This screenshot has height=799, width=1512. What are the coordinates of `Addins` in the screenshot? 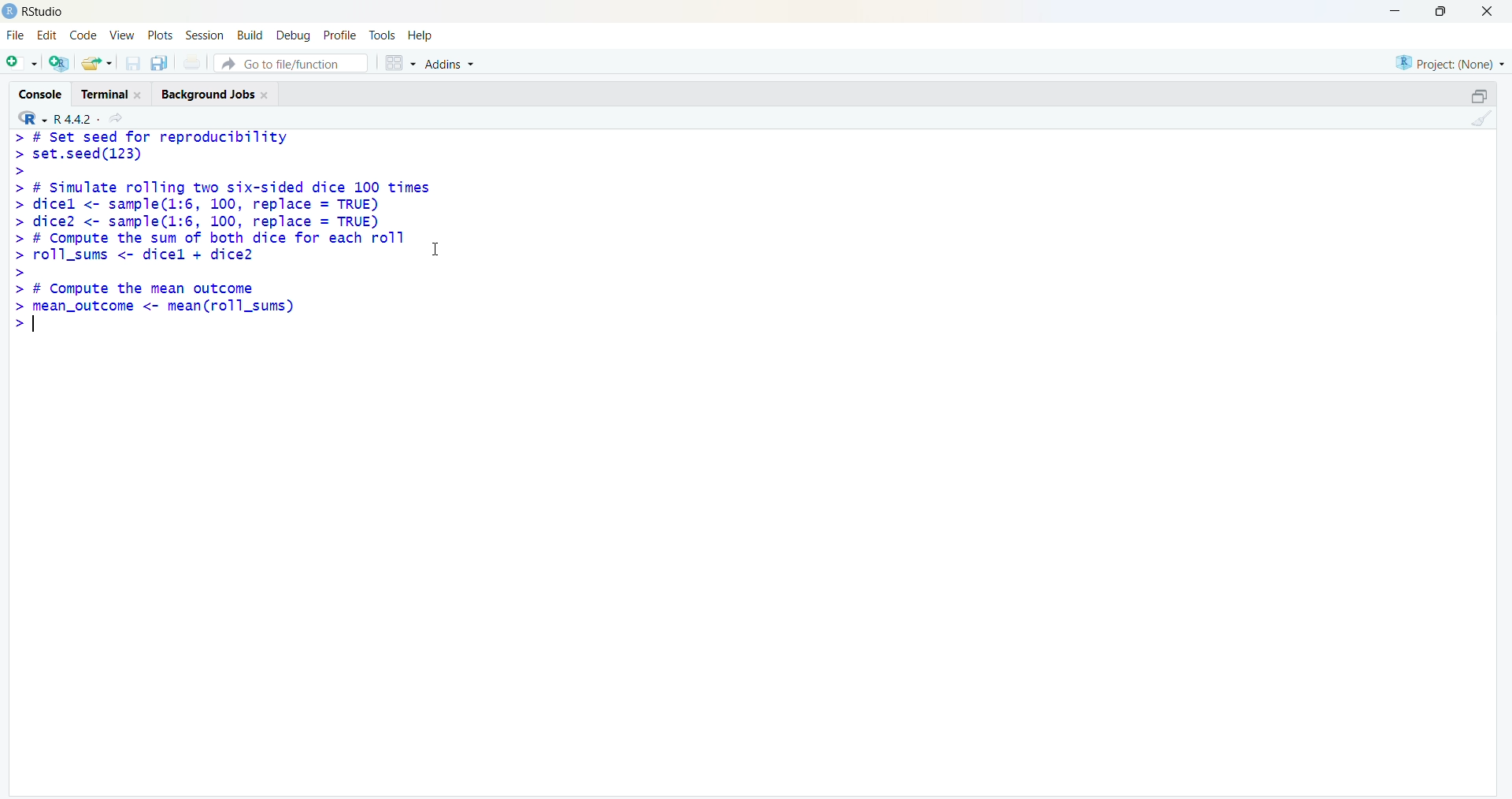 It's located at (451, 64).